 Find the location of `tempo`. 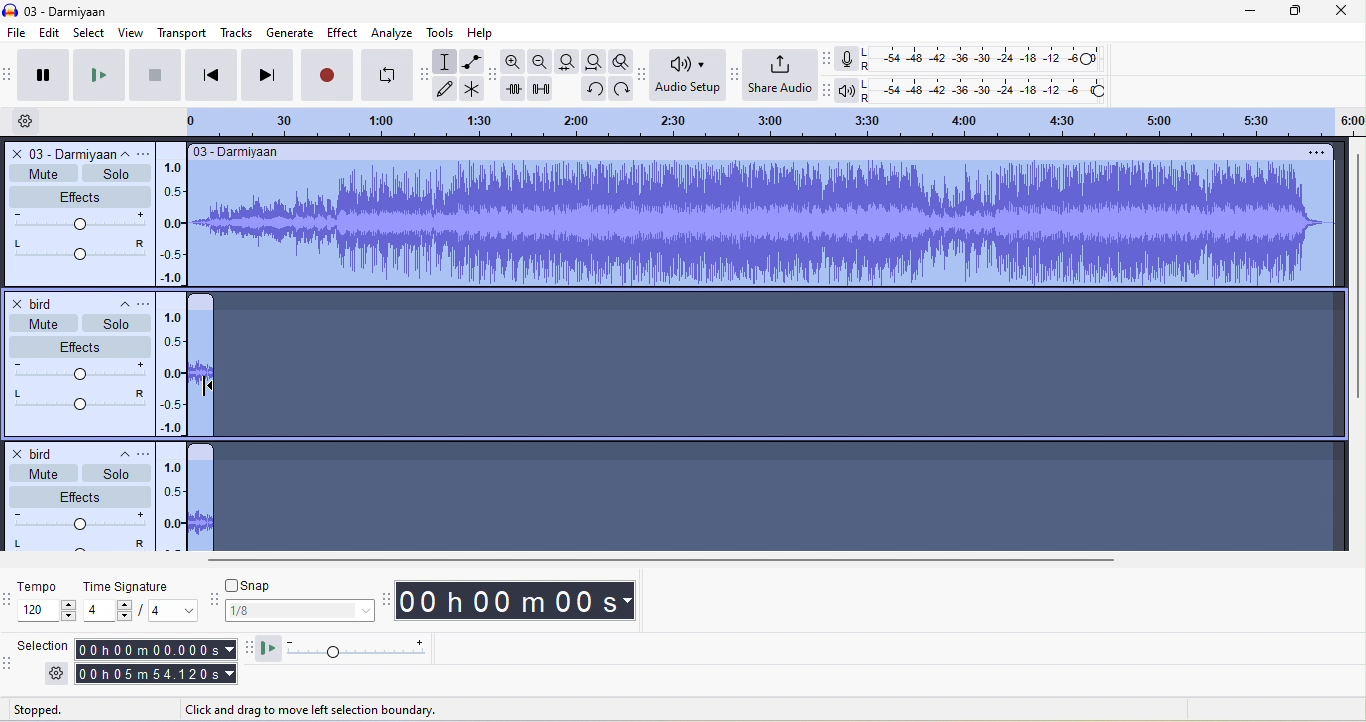

tempo is located at coordinates (49, 588).